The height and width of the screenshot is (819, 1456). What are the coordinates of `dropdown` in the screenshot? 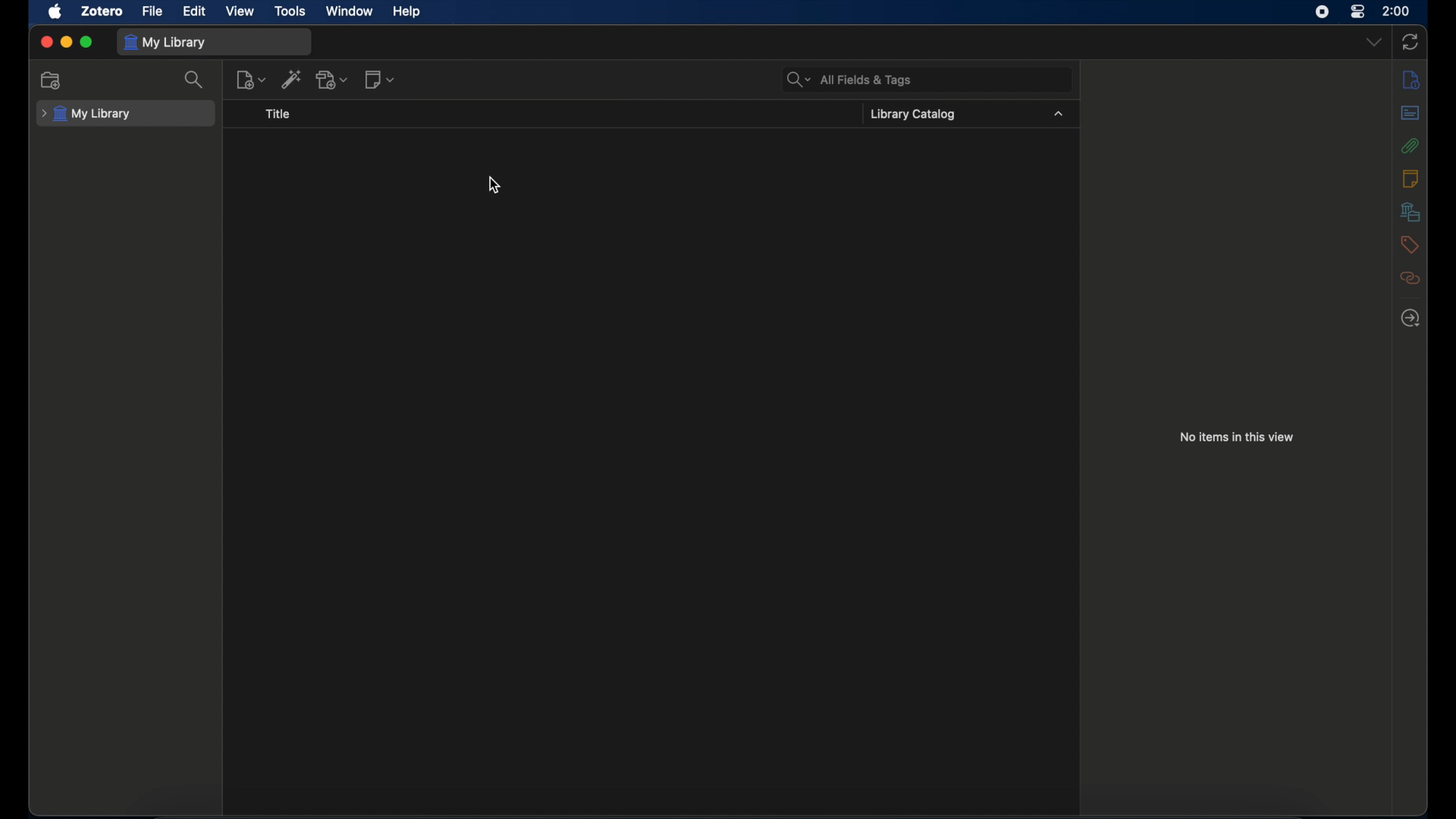 It's located at (1059, 115).